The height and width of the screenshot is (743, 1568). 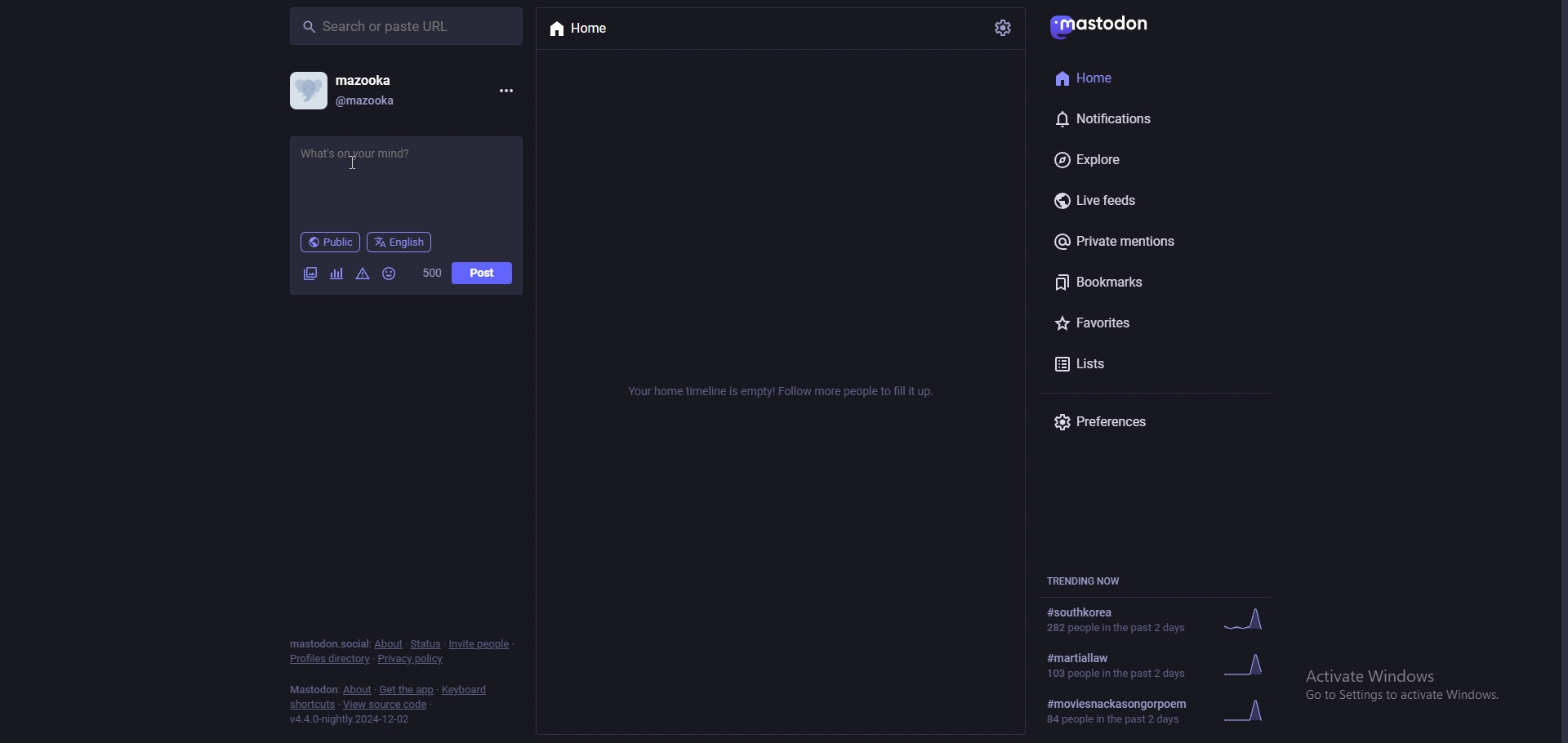 What do you see at coordinates (327, 659) in the screenshot?
I see `profiles directory` at bounding box center [327, 659].